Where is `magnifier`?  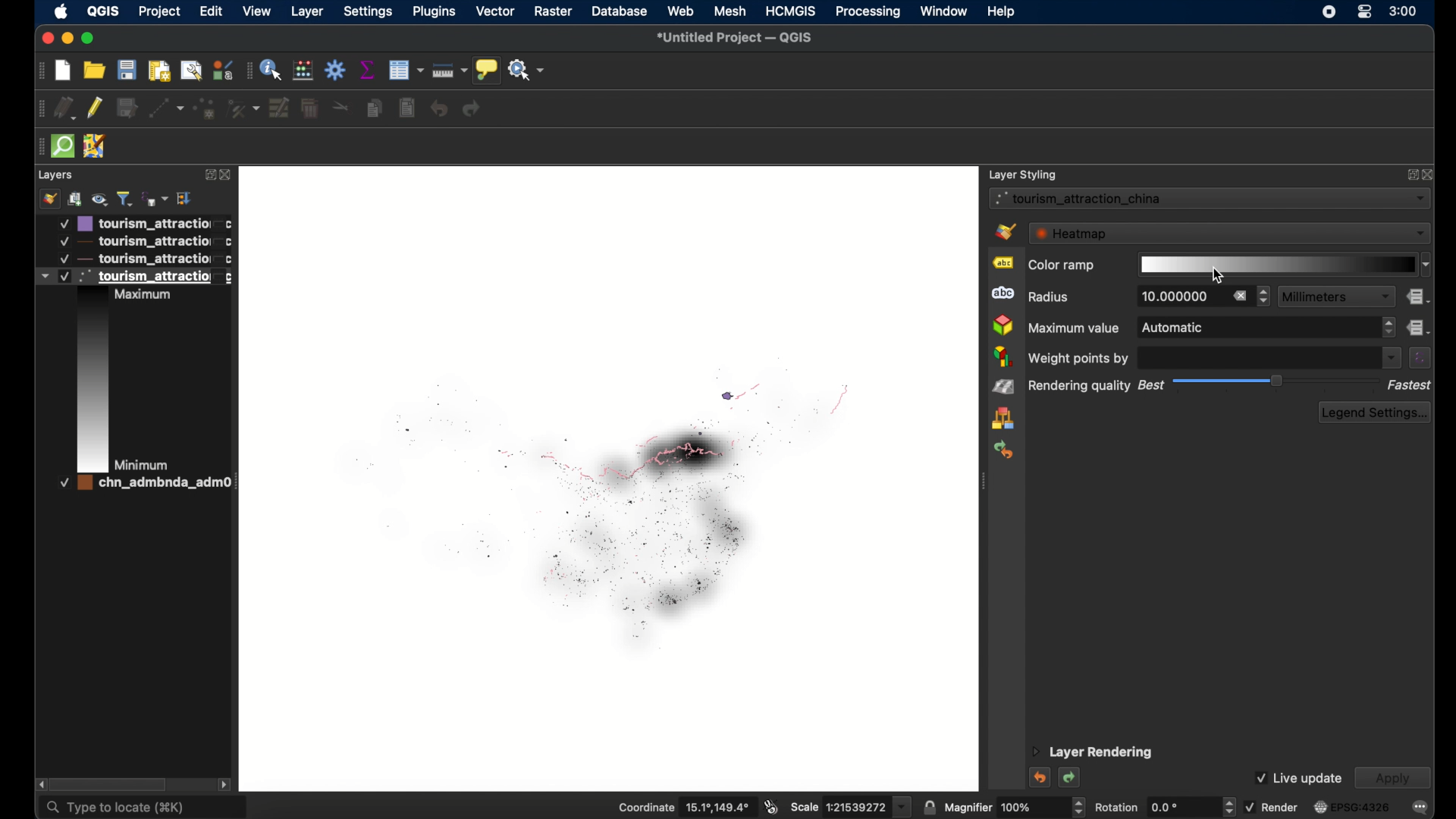
magnifier is located at coordinates (1015, 806).